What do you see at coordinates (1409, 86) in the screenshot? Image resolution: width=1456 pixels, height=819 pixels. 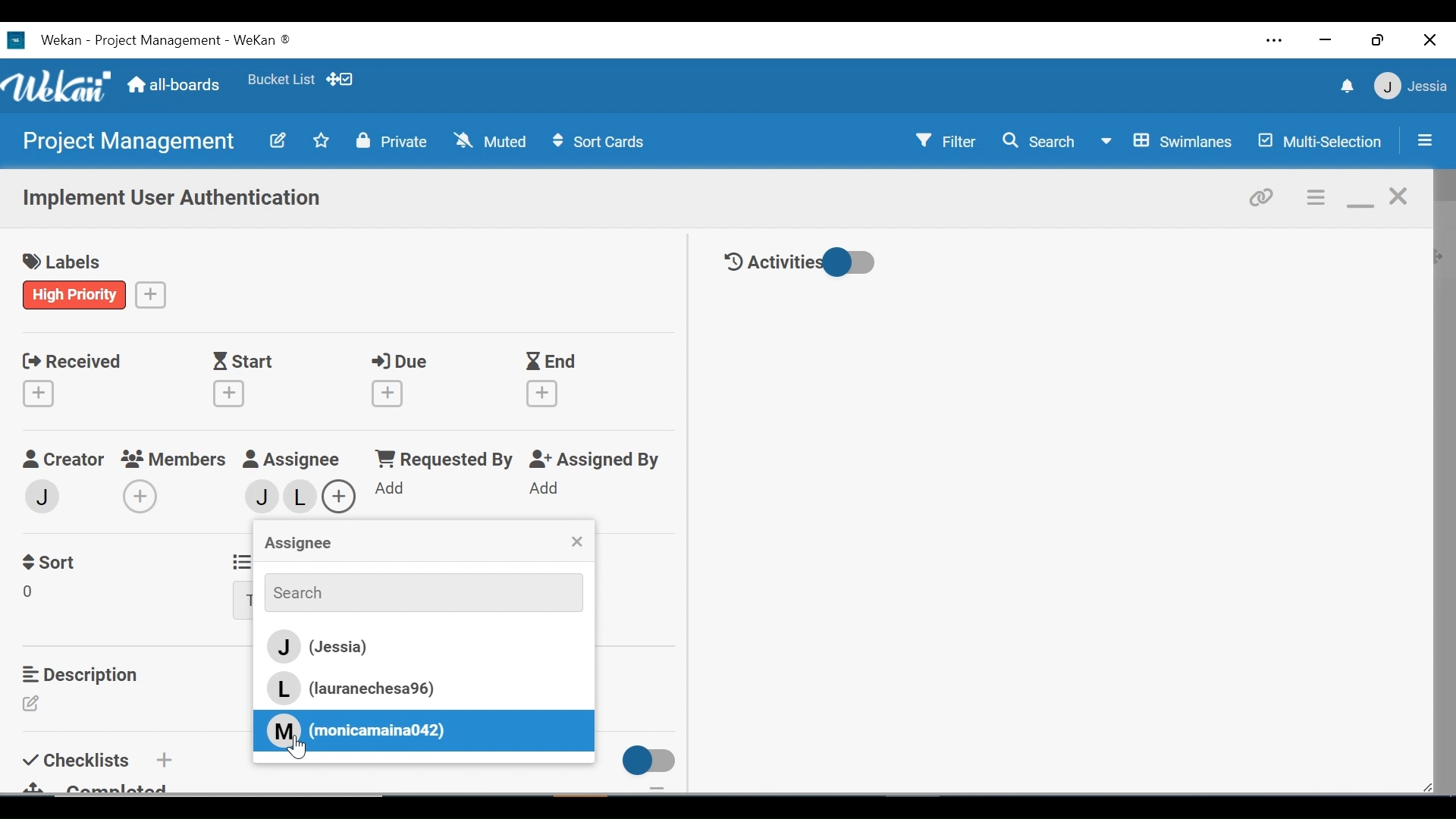 I see `jessica` at bounding box center [1409, 86].